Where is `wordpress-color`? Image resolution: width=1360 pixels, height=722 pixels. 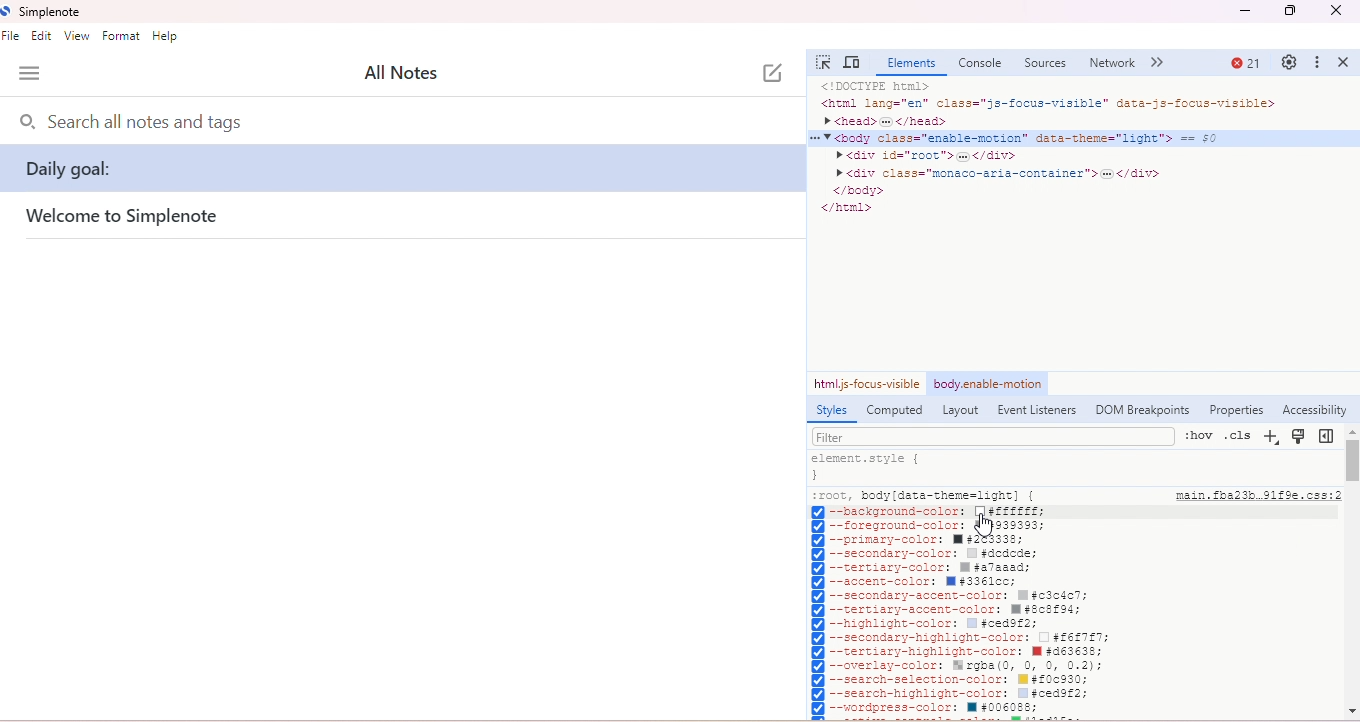 wordpress-color is located at coordinates (937, 708).